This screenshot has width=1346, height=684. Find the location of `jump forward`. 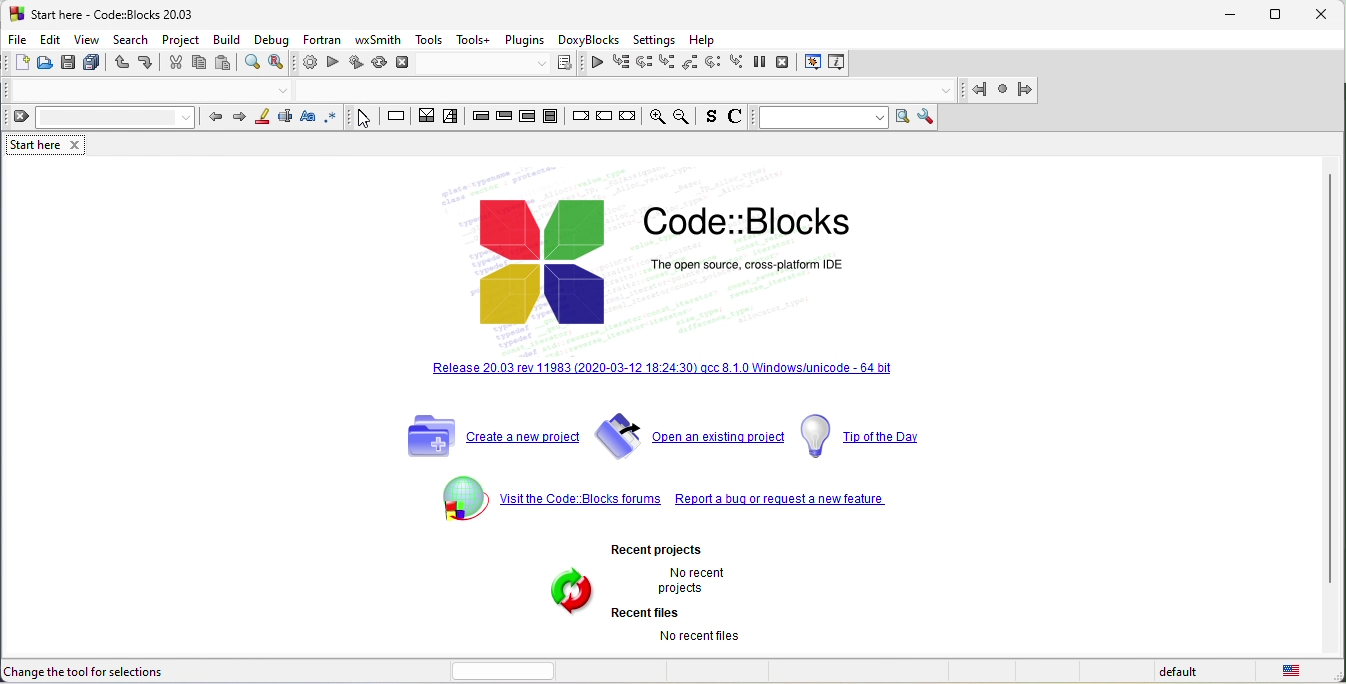

jump forward is located at coordinates (1026, 90).